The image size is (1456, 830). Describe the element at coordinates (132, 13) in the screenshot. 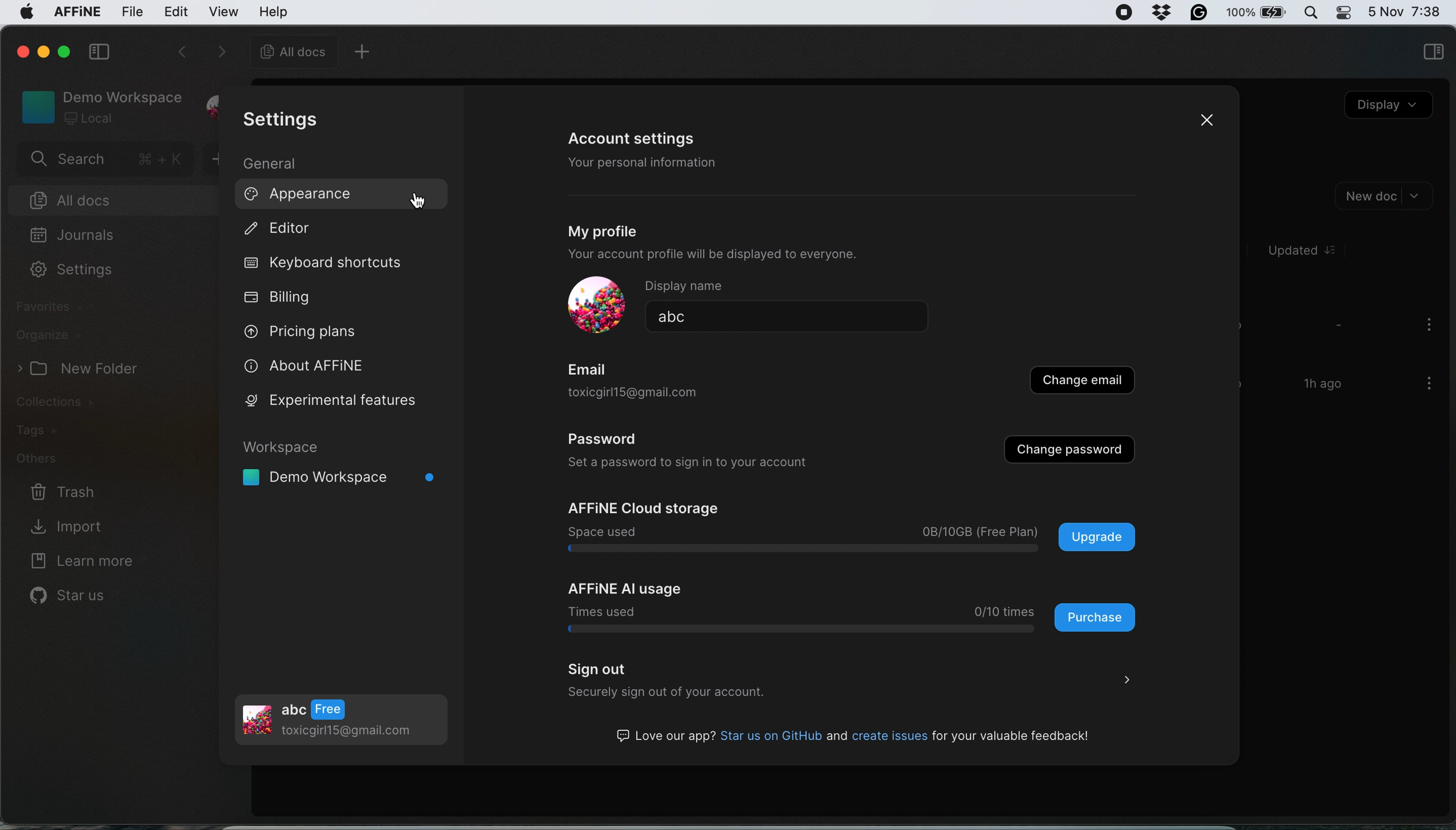

I see `file` at that location.